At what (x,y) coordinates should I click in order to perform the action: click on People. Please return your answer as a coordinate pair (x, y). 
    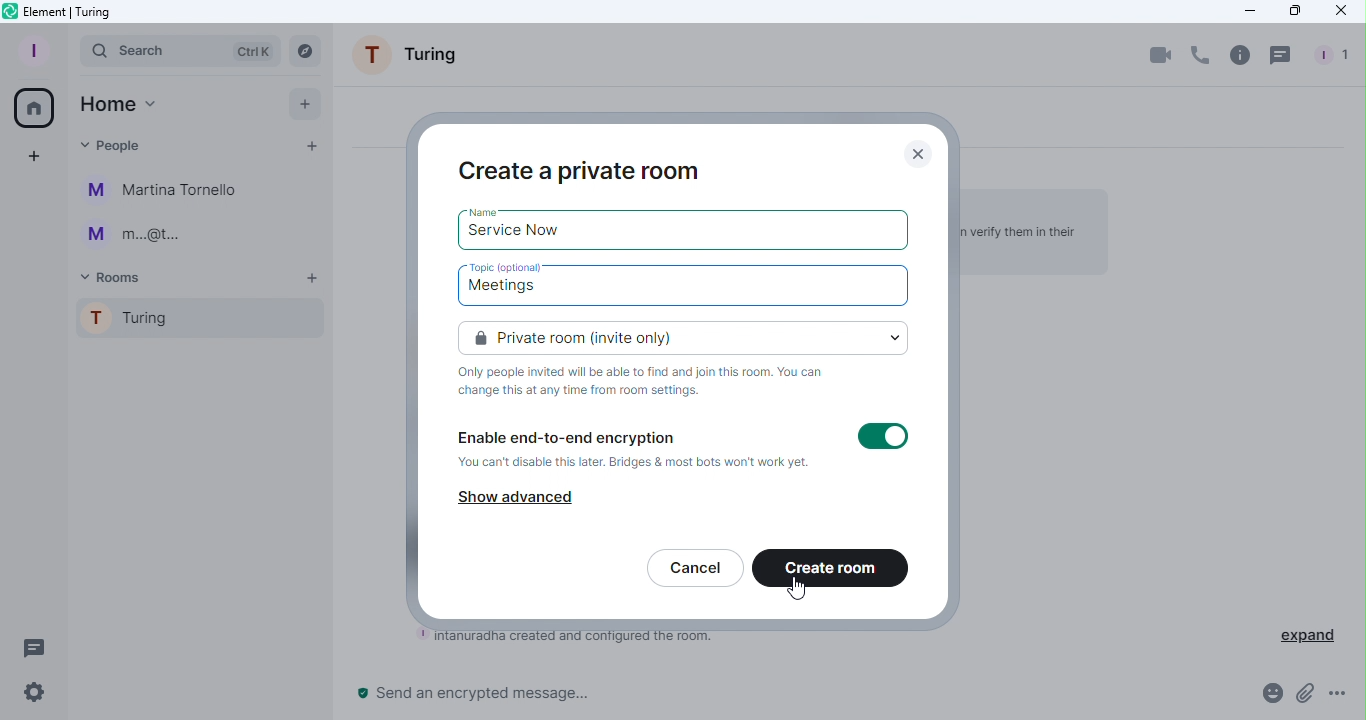
    Looking at the image, I should click on (1328, 56).